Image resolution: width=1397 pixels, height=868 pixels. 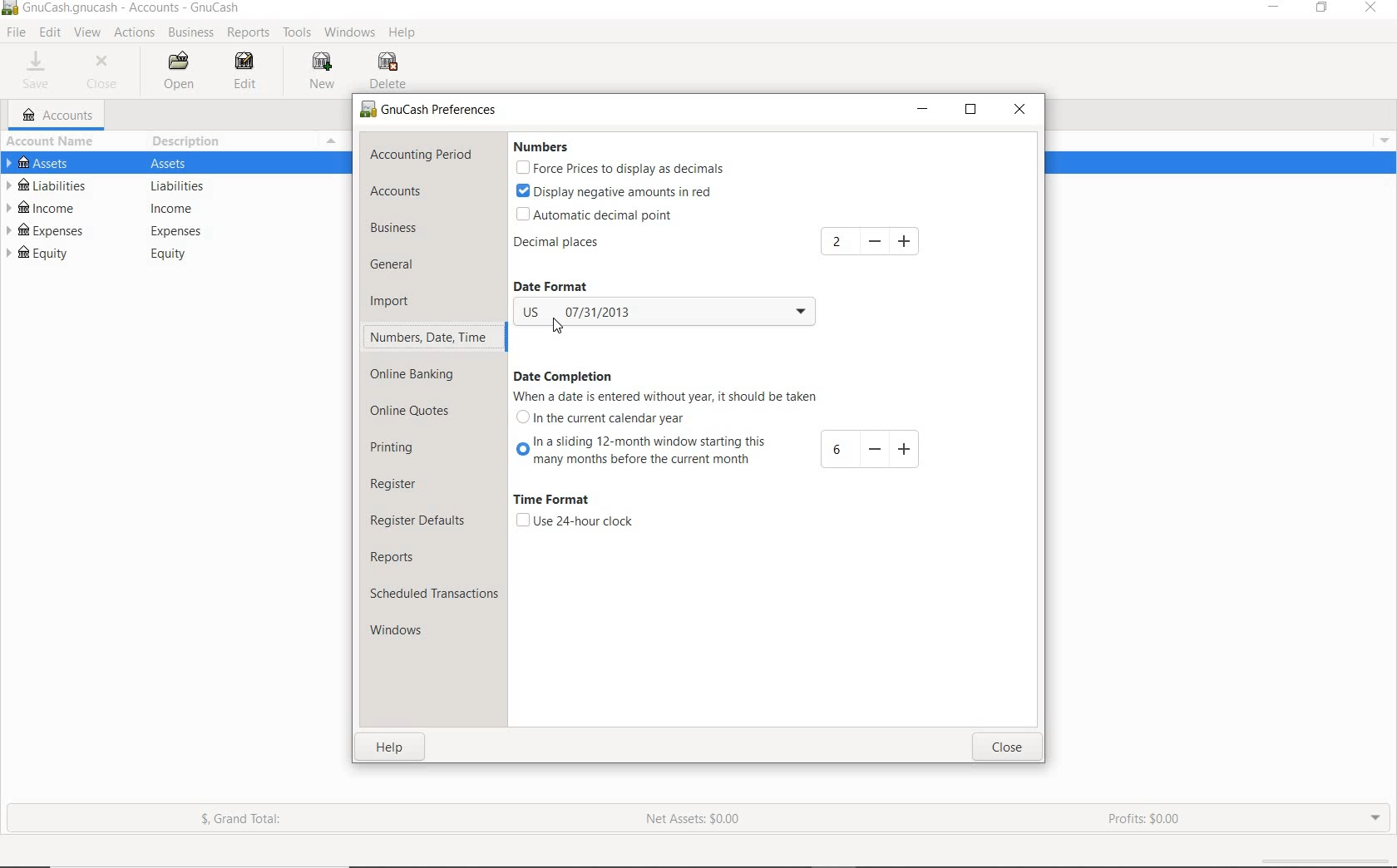 I want to click on Menu, so click(x=1380, y=139).